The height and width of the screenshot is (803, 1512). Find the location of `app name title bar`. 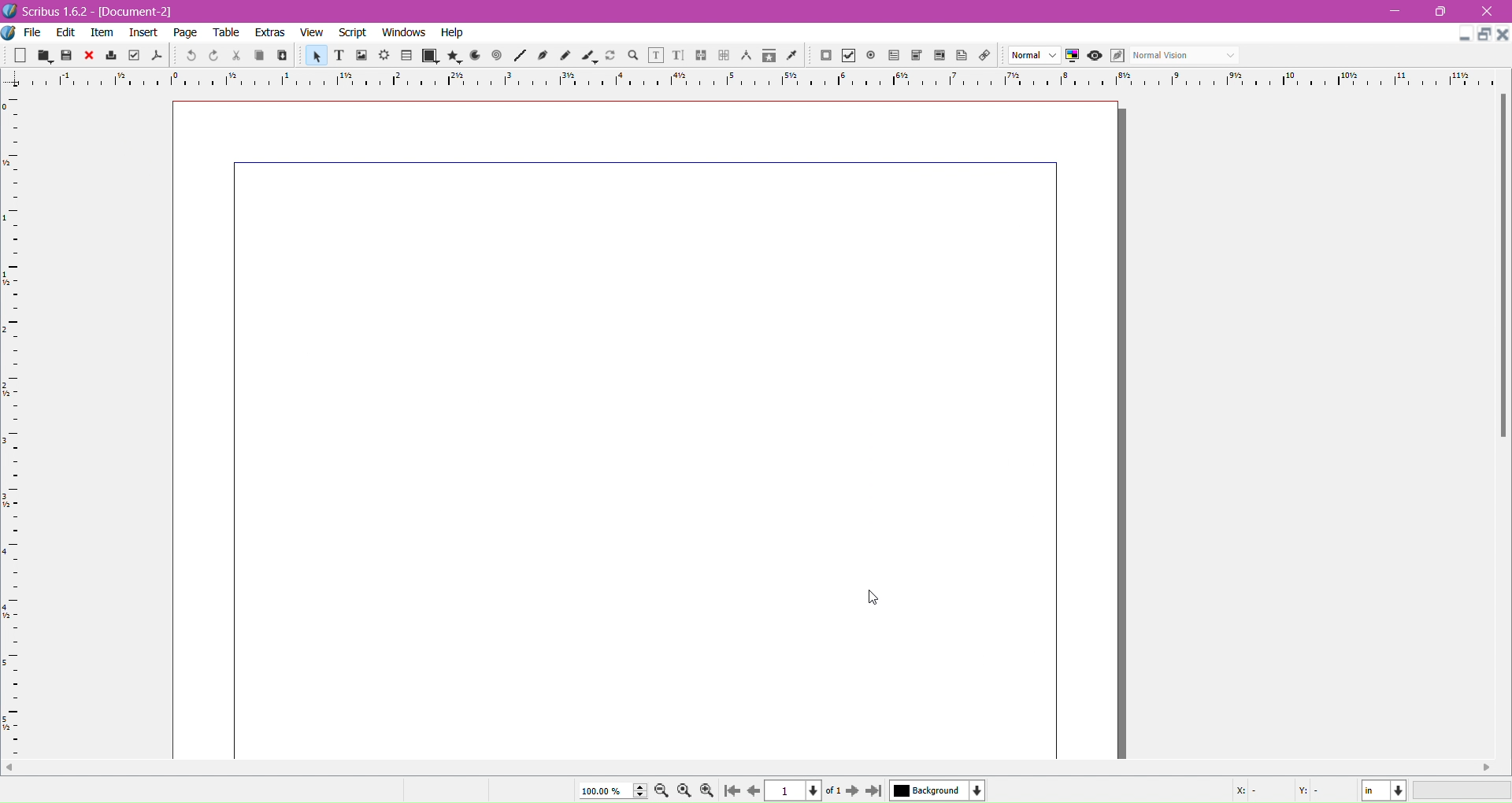

app name title bar is located at coordinates (46, 10).